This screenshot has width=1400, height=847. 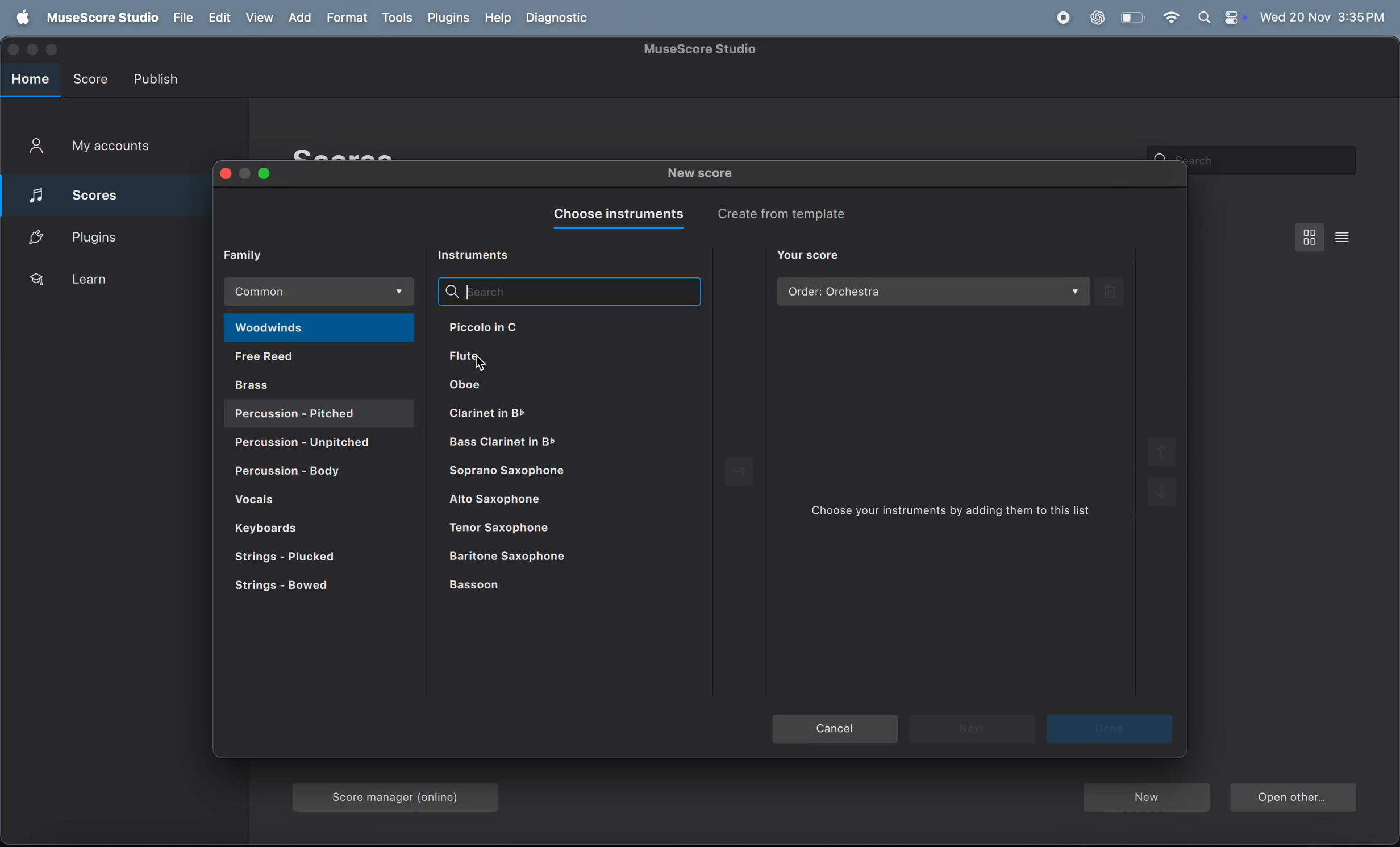 What do you see at coordinates (481, 360) in the screenshot?
I see `cursor` at bounding box center [481, 360].